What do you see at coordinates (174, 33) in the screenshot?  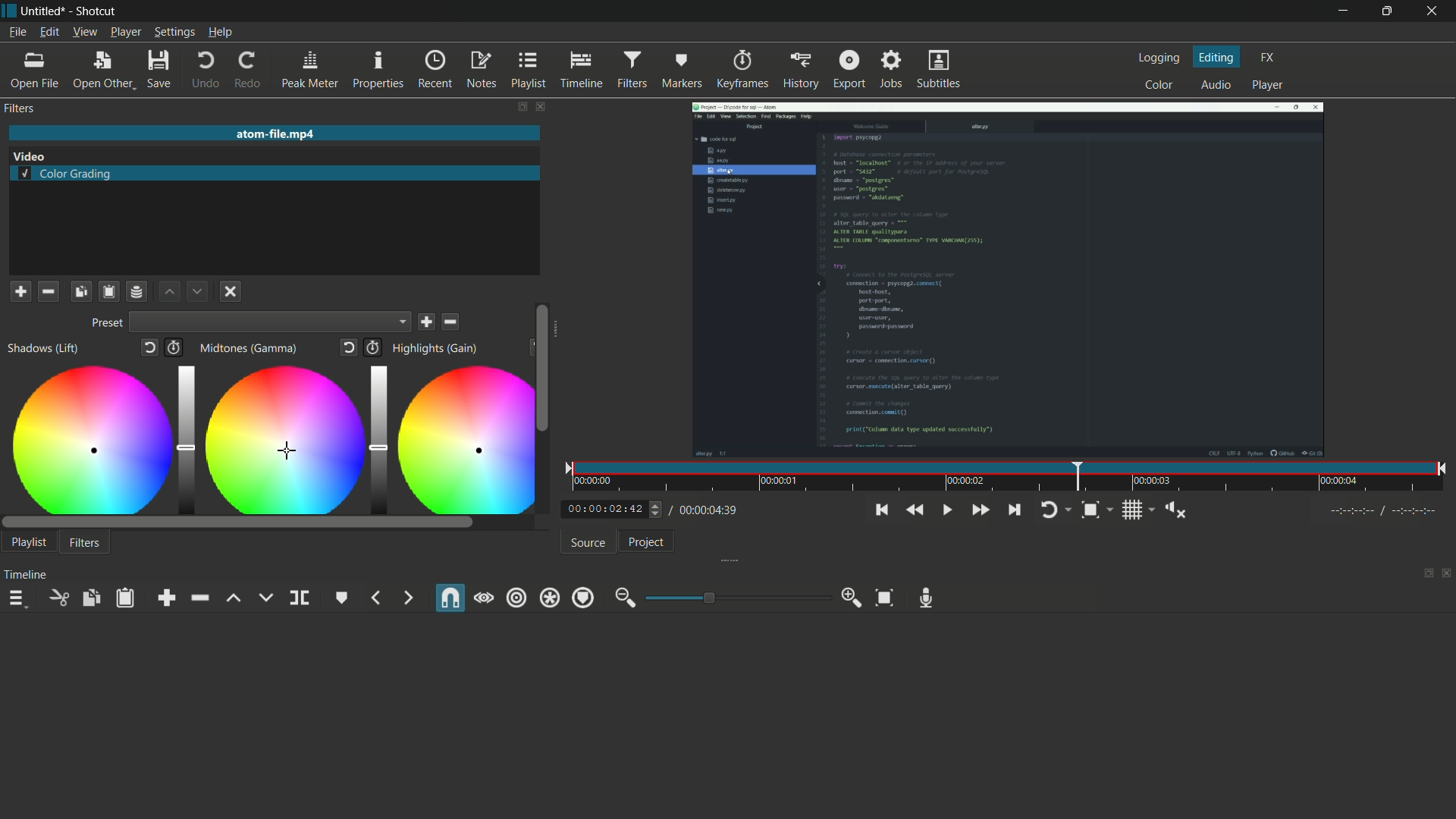 I see `settings menu` at bounding box center [174, 33].